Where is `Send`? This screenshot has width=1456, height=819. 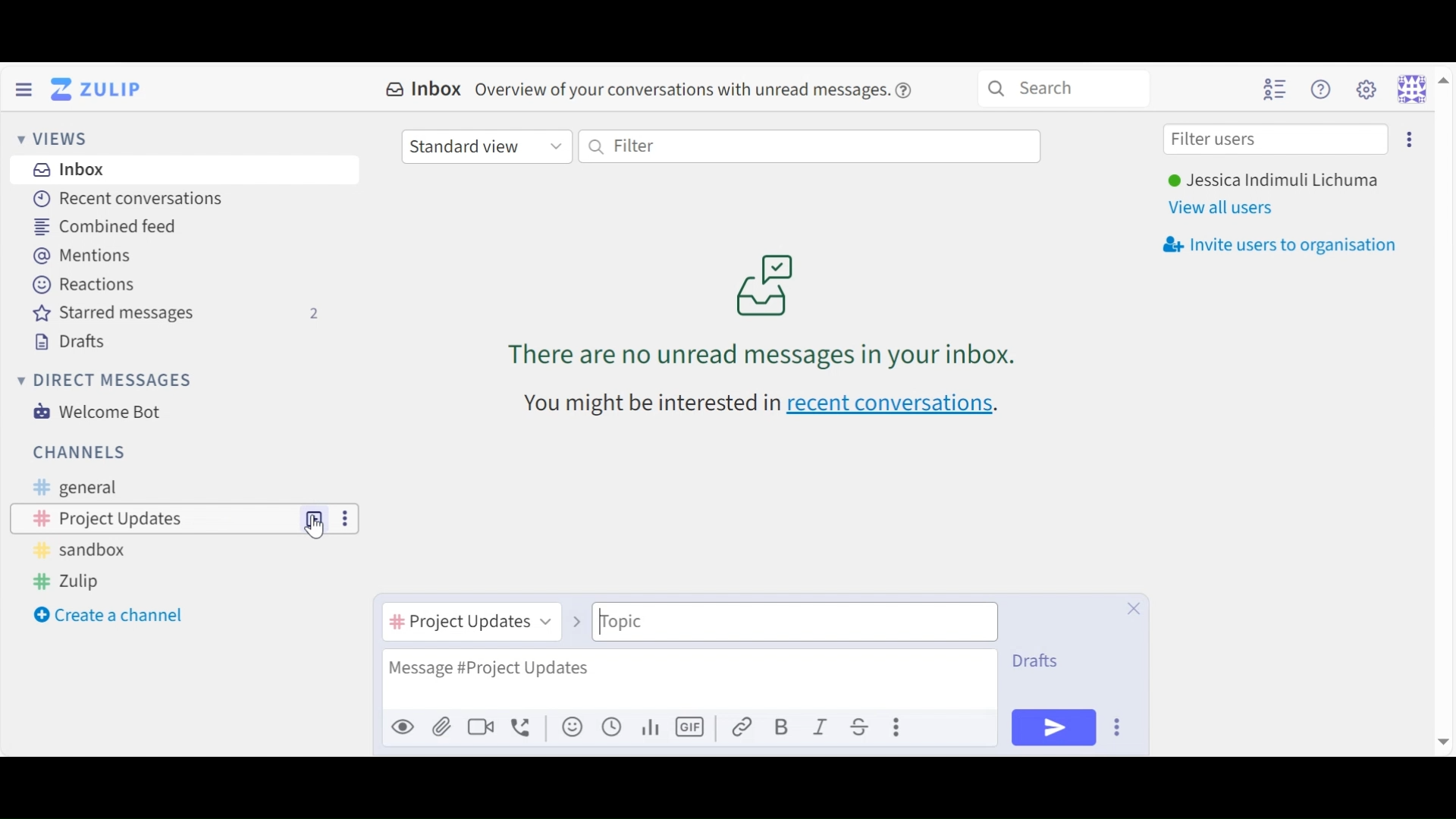
Send is located at coordinates (1053, 727).